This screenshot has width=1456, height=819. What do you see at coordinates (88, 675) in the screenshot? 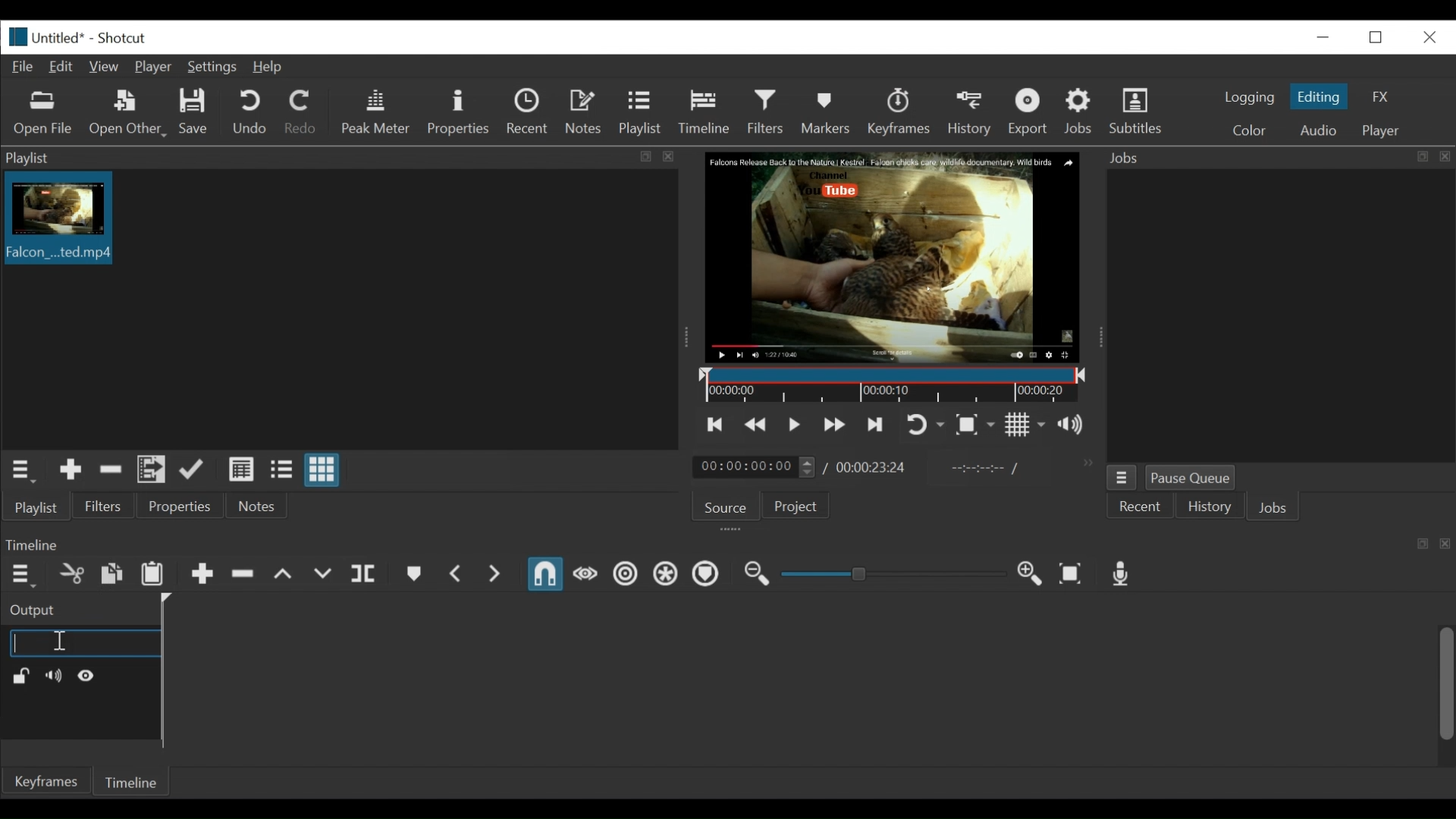
I see `Hide` at bounding box center [88, 675].